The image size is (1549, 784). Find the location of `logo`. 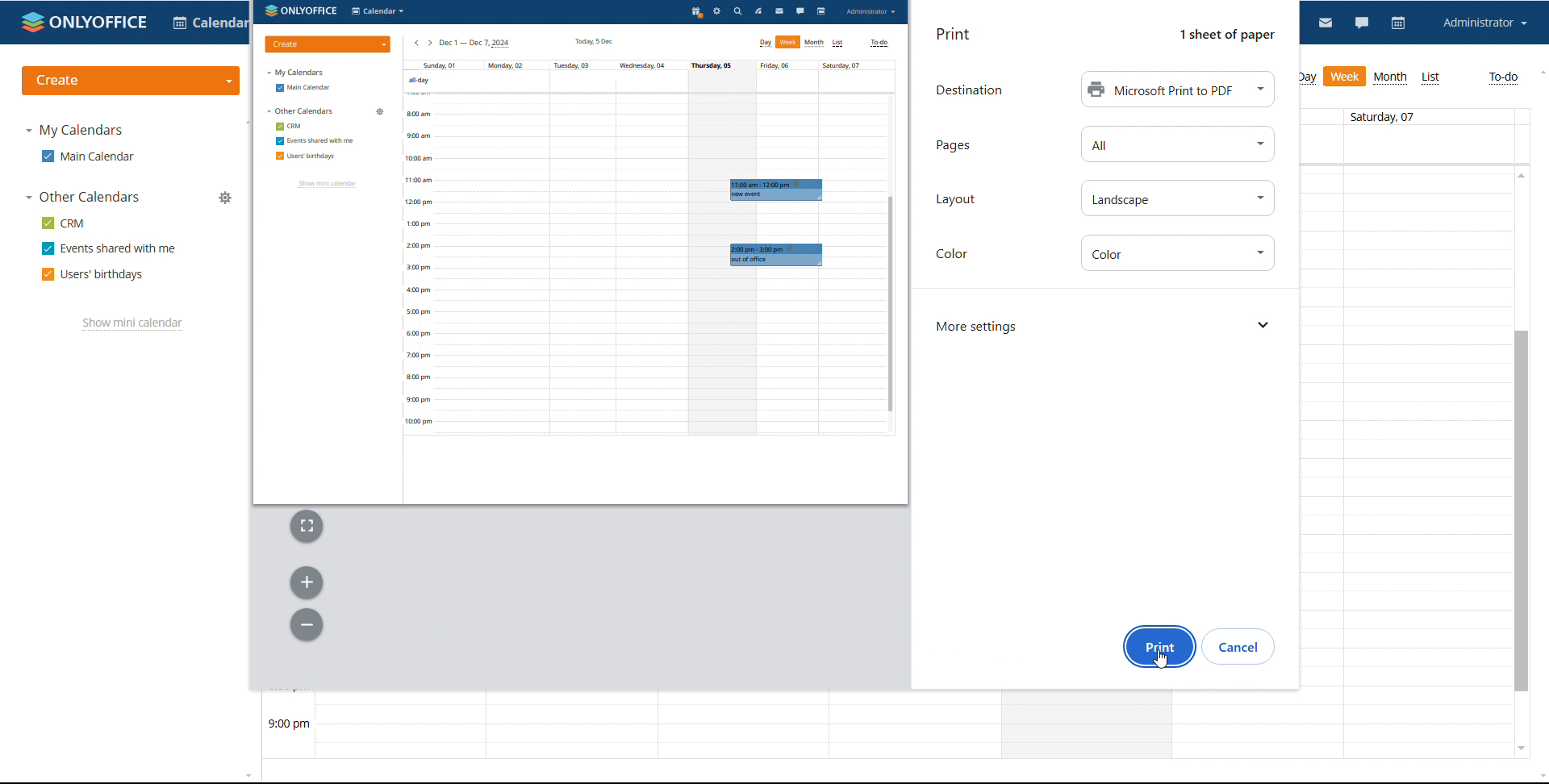

logo is located at coordinates (83, 21).